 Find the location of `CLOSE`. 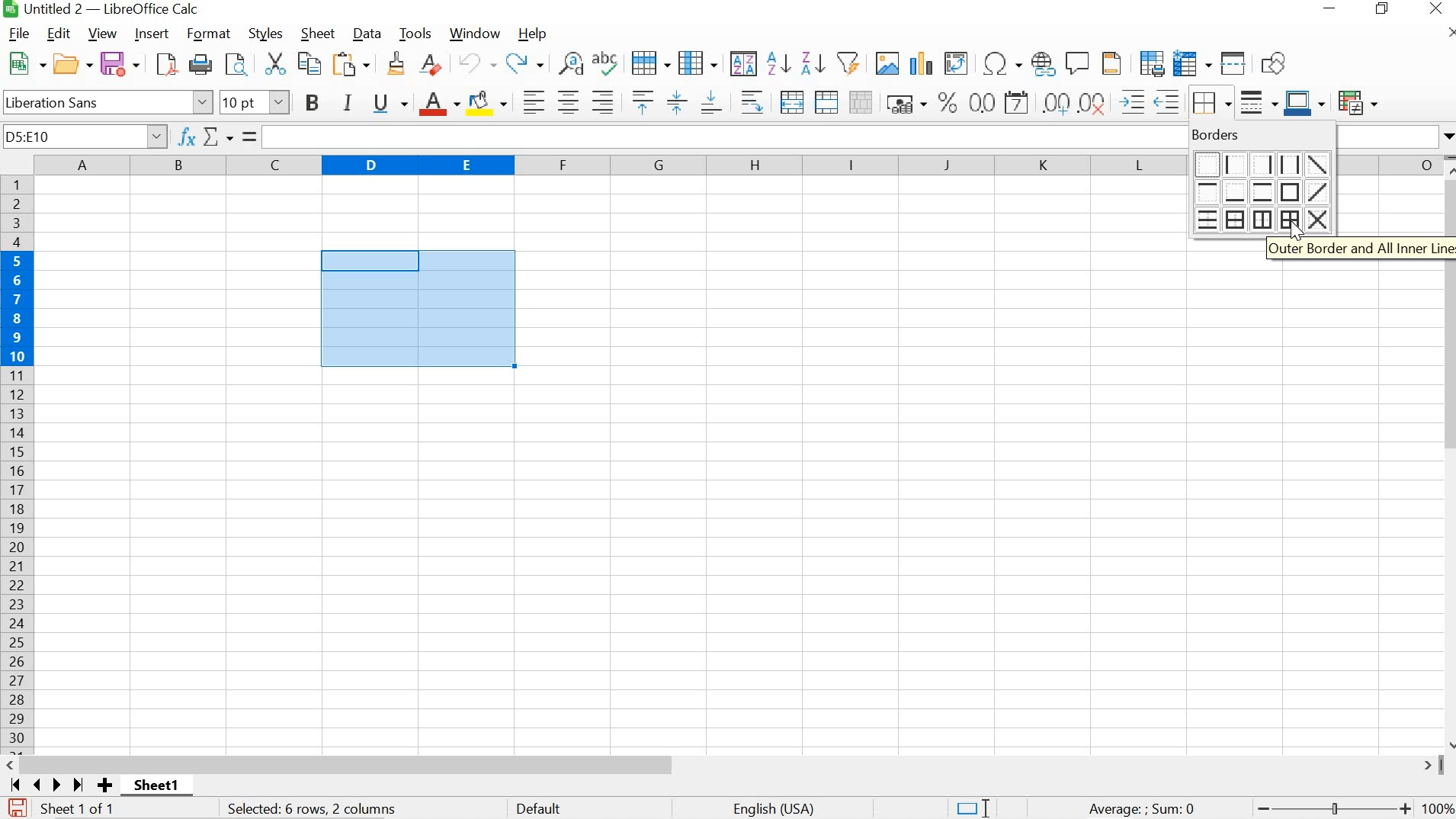

CLOSE is located at coordinates (1435, 8).